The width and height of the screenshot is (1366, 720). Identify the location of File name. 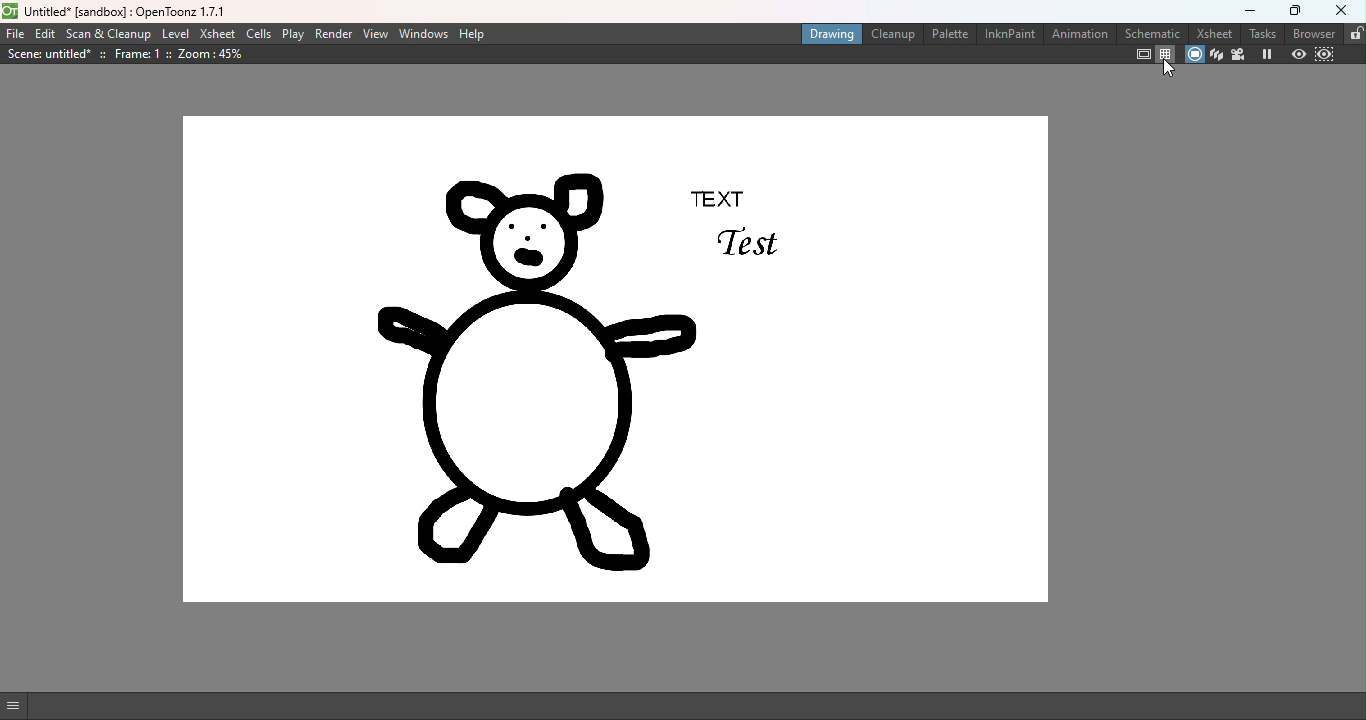
(119, 11).